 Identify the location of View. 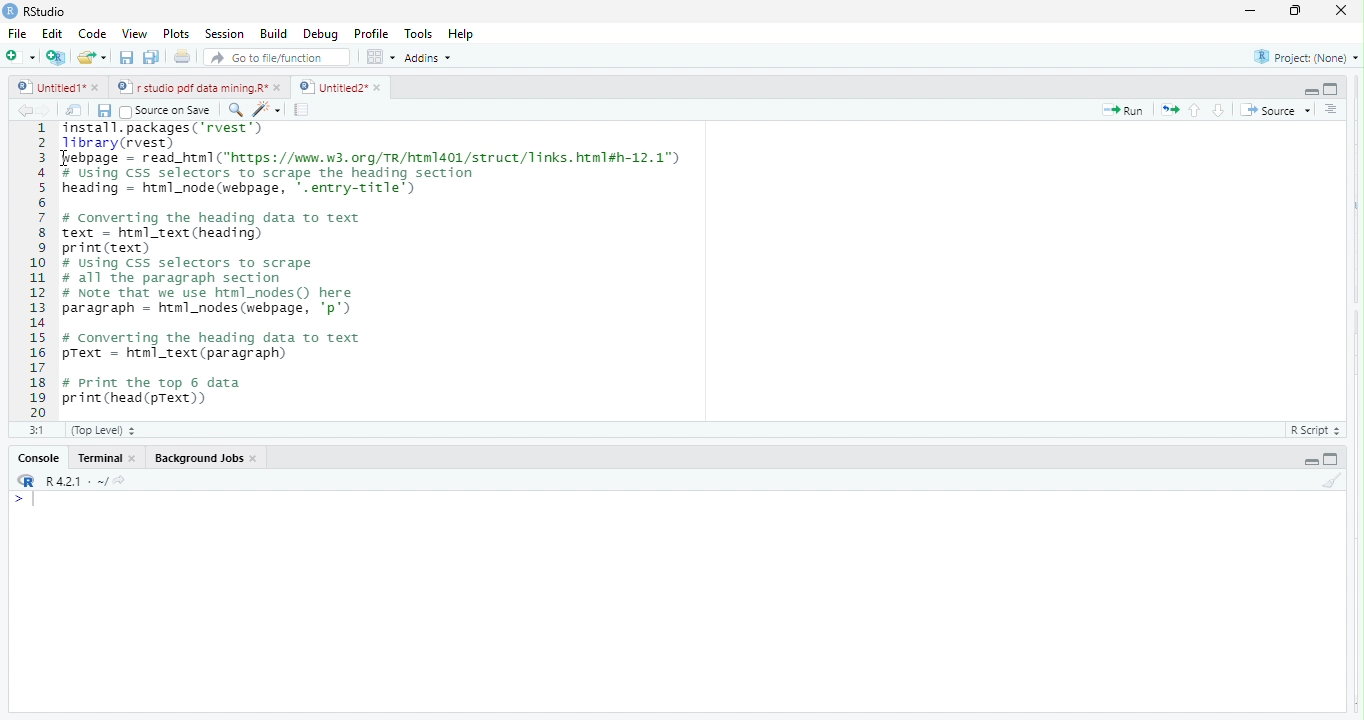
(133, 35).